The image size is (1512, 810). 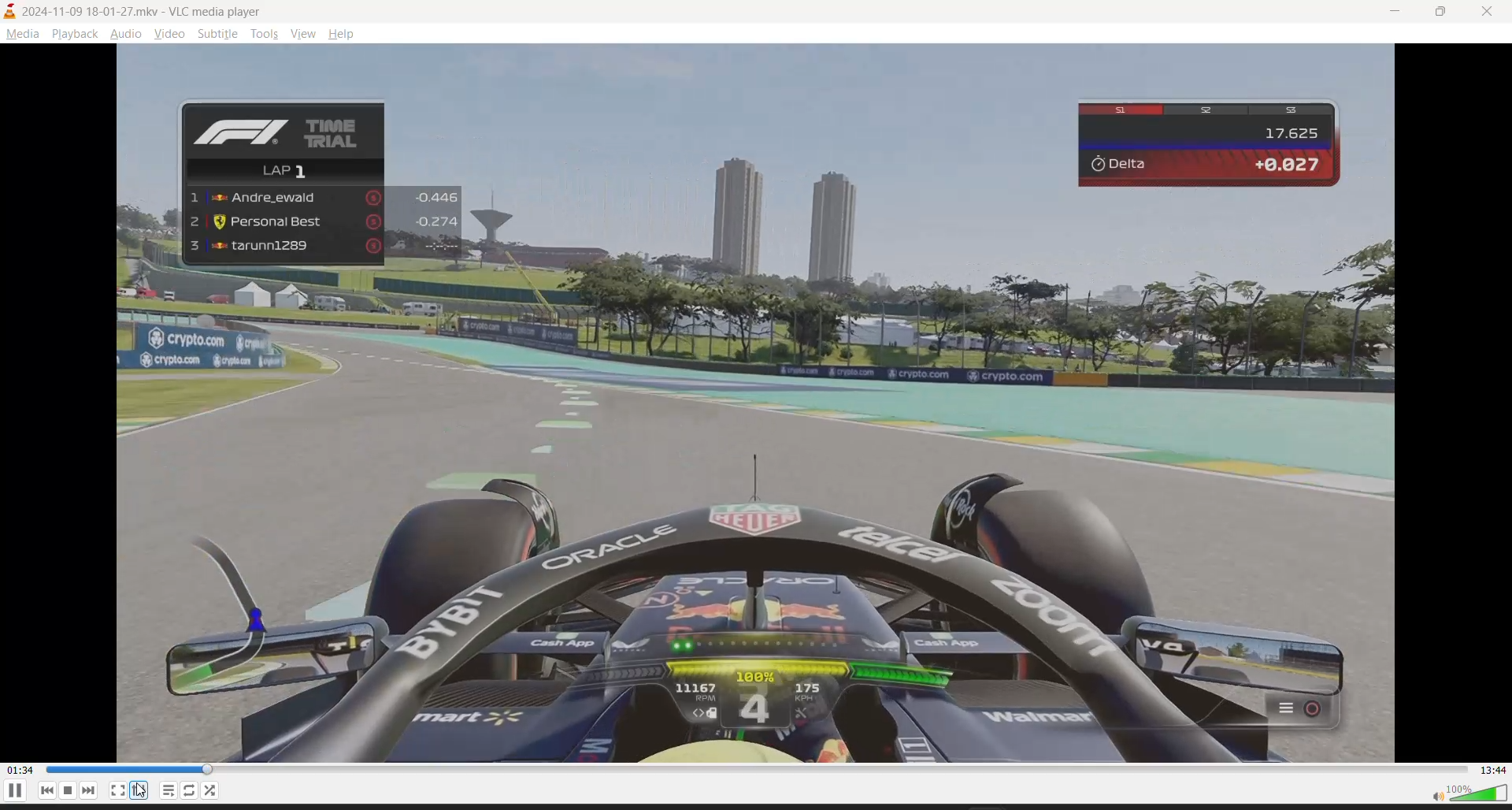 I want to click on next, so click(x=91, y=794).